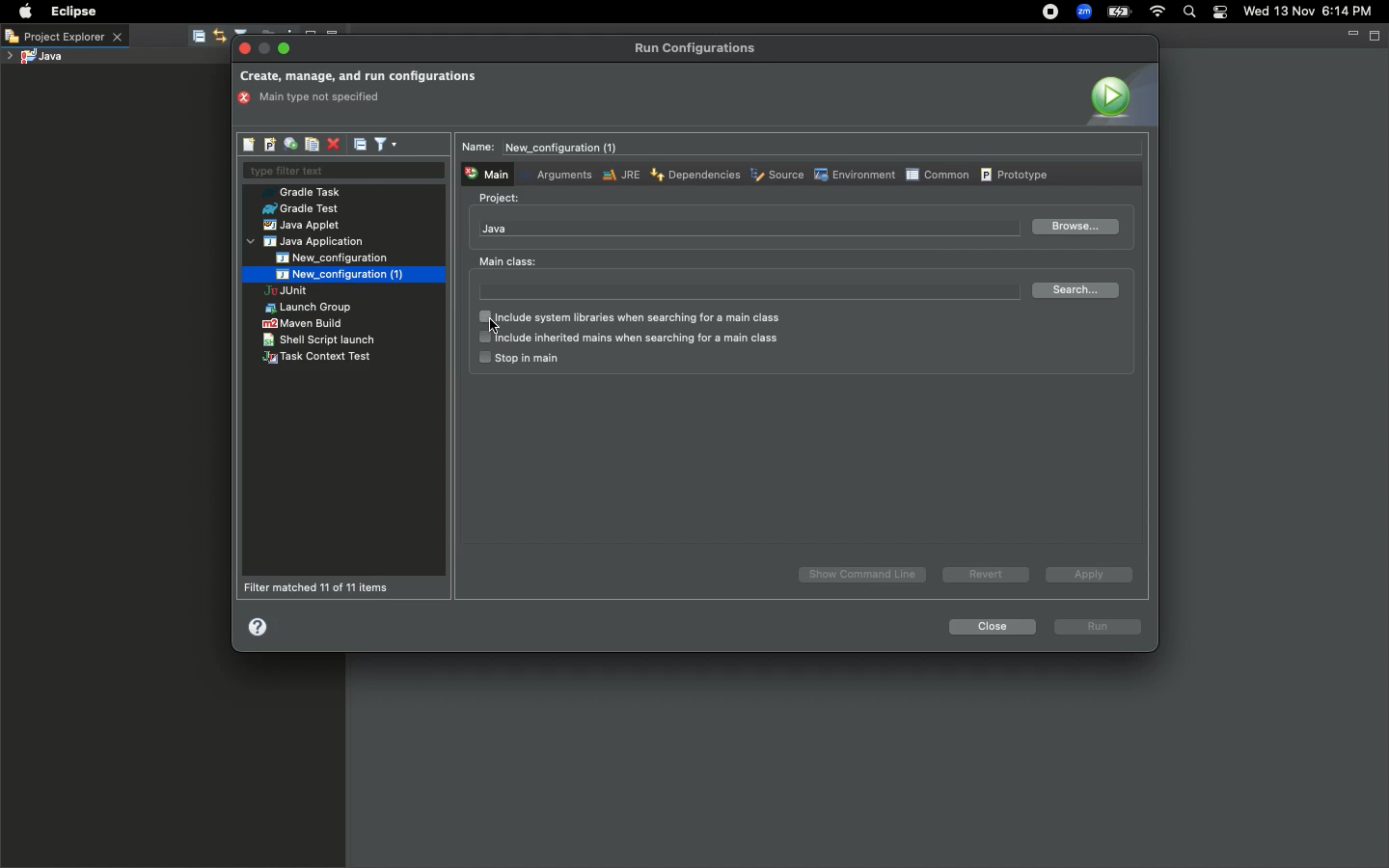  I want to click on New launch configuration, so click(250, 145).